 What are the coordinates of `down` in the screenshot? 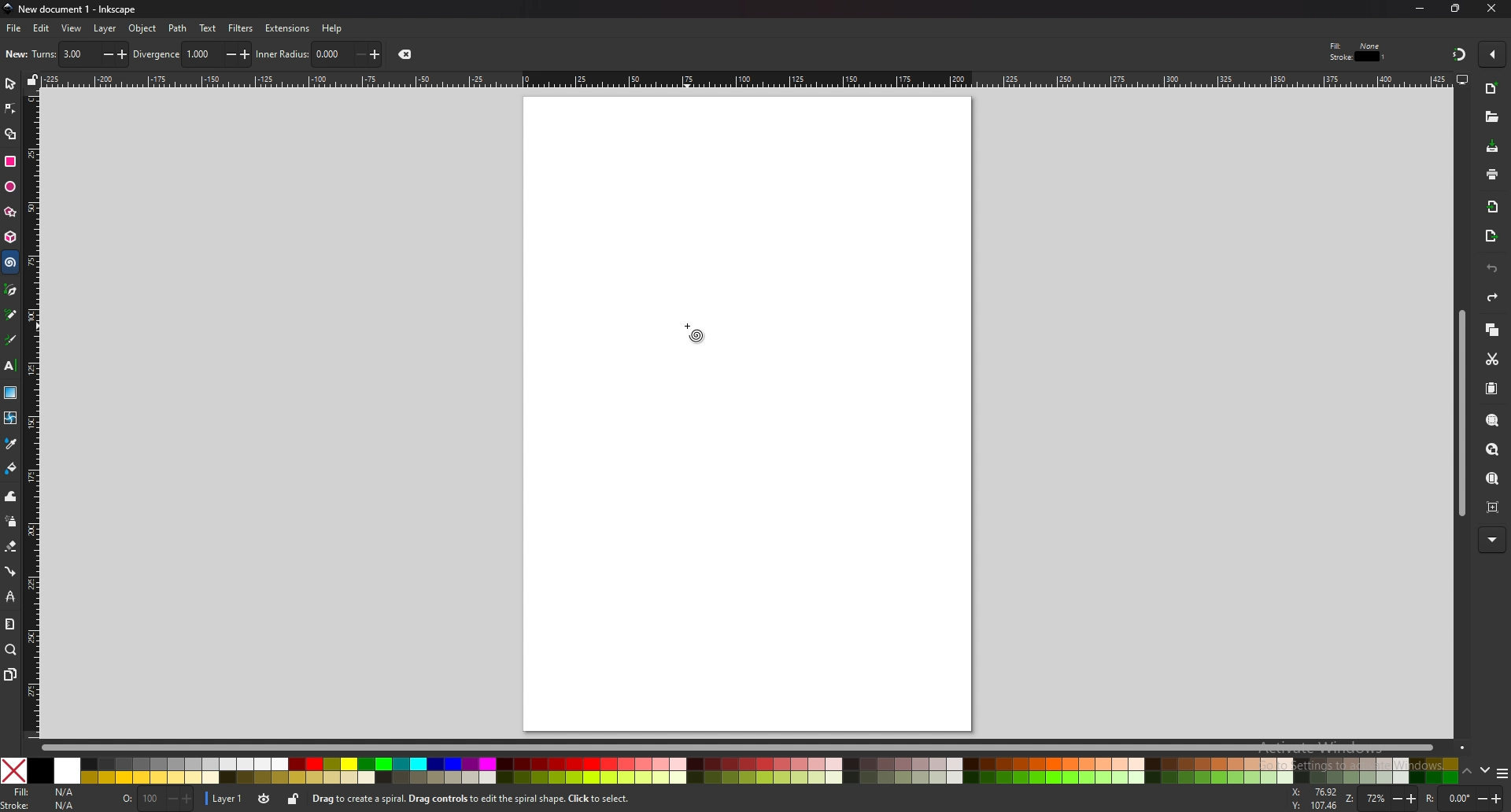 It's located at (1484, 770).